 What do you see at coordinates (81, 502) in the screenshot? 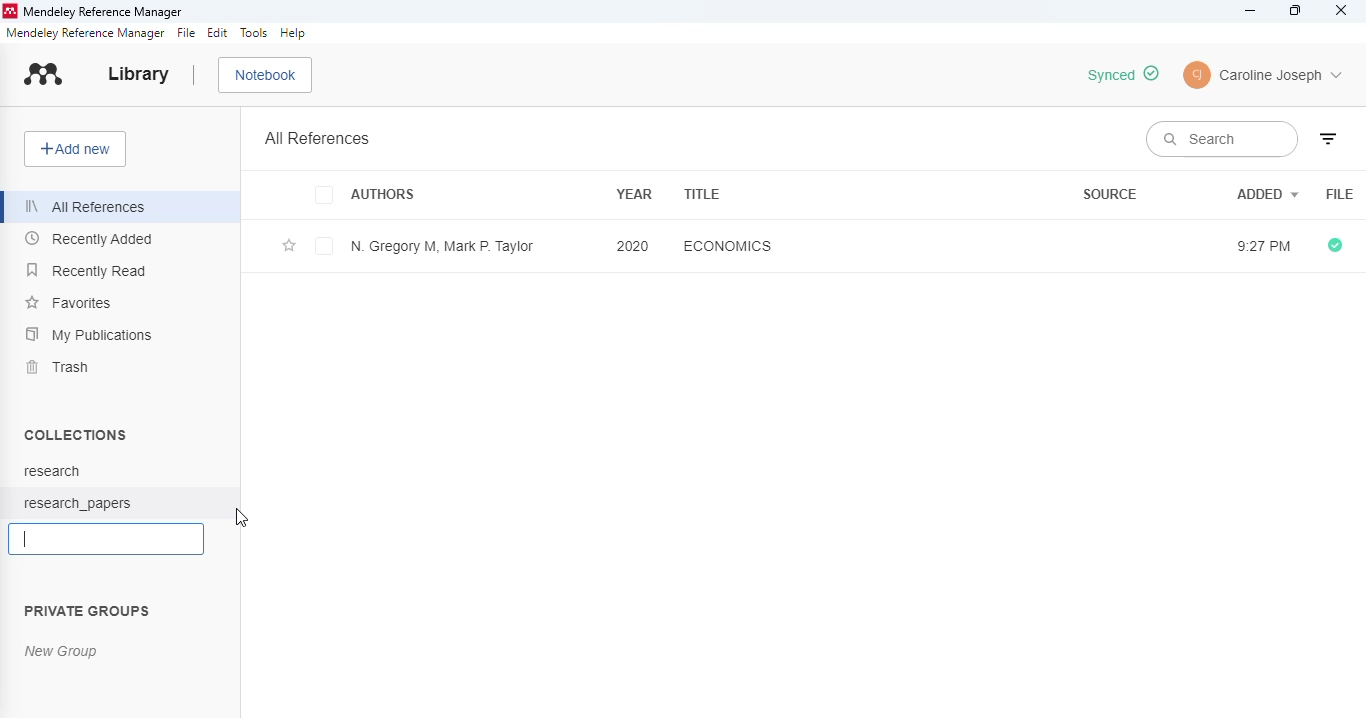
I see `research_papers` at bounding box center [81, 502].